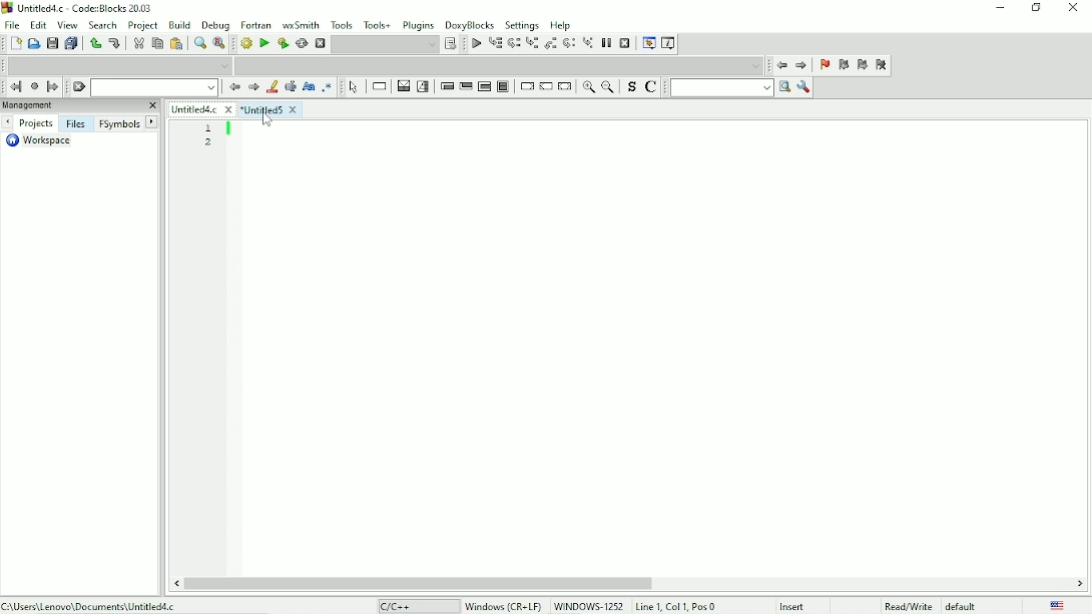 This screenshot has width=1092, height=614. I want to click on Search, so click(103, 26).